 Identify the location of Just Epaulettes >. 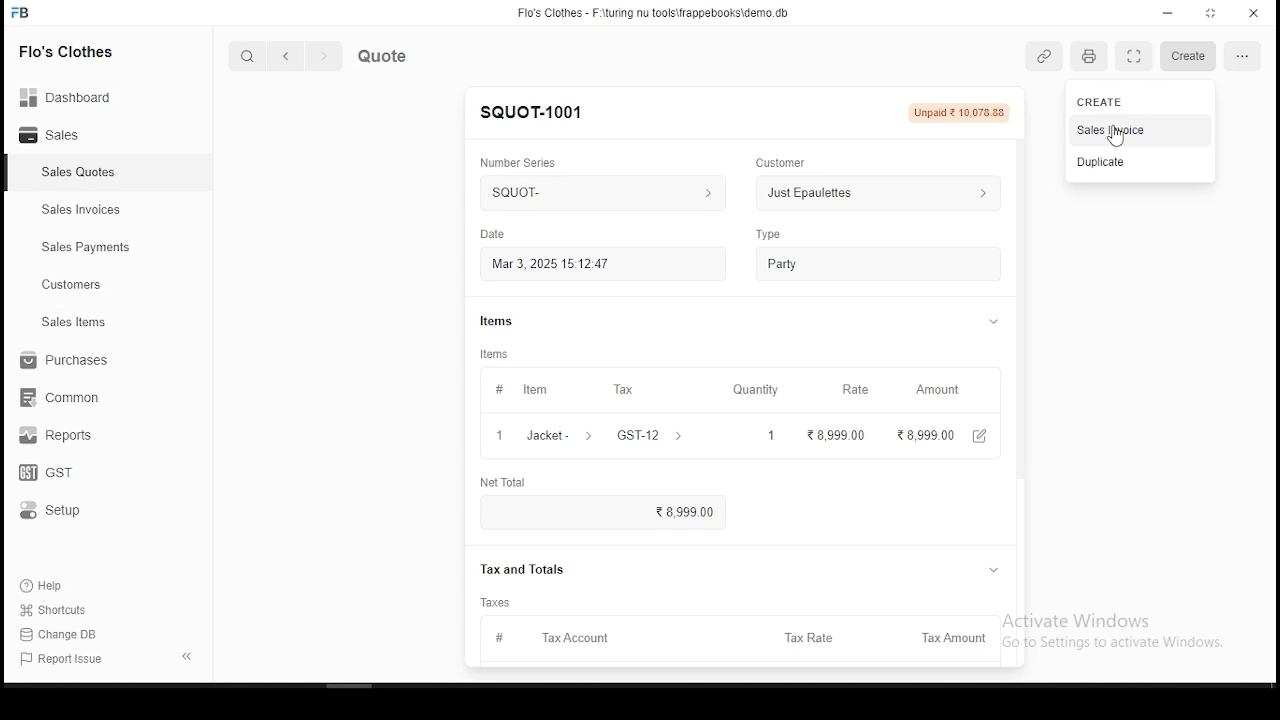
(883, 195).